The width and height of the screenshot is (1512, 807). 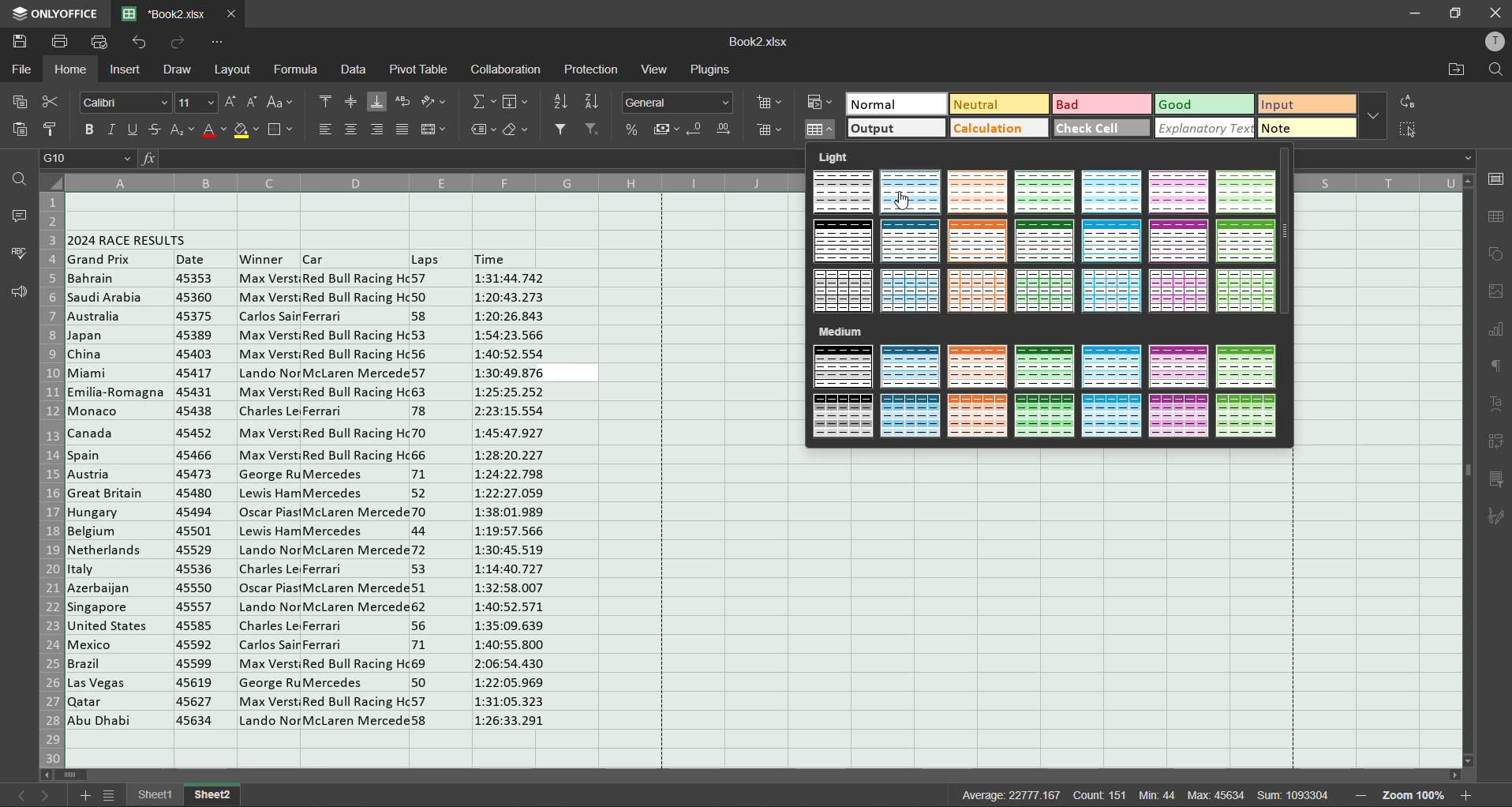 I want to click on accounting, so click(x=668, y=128).